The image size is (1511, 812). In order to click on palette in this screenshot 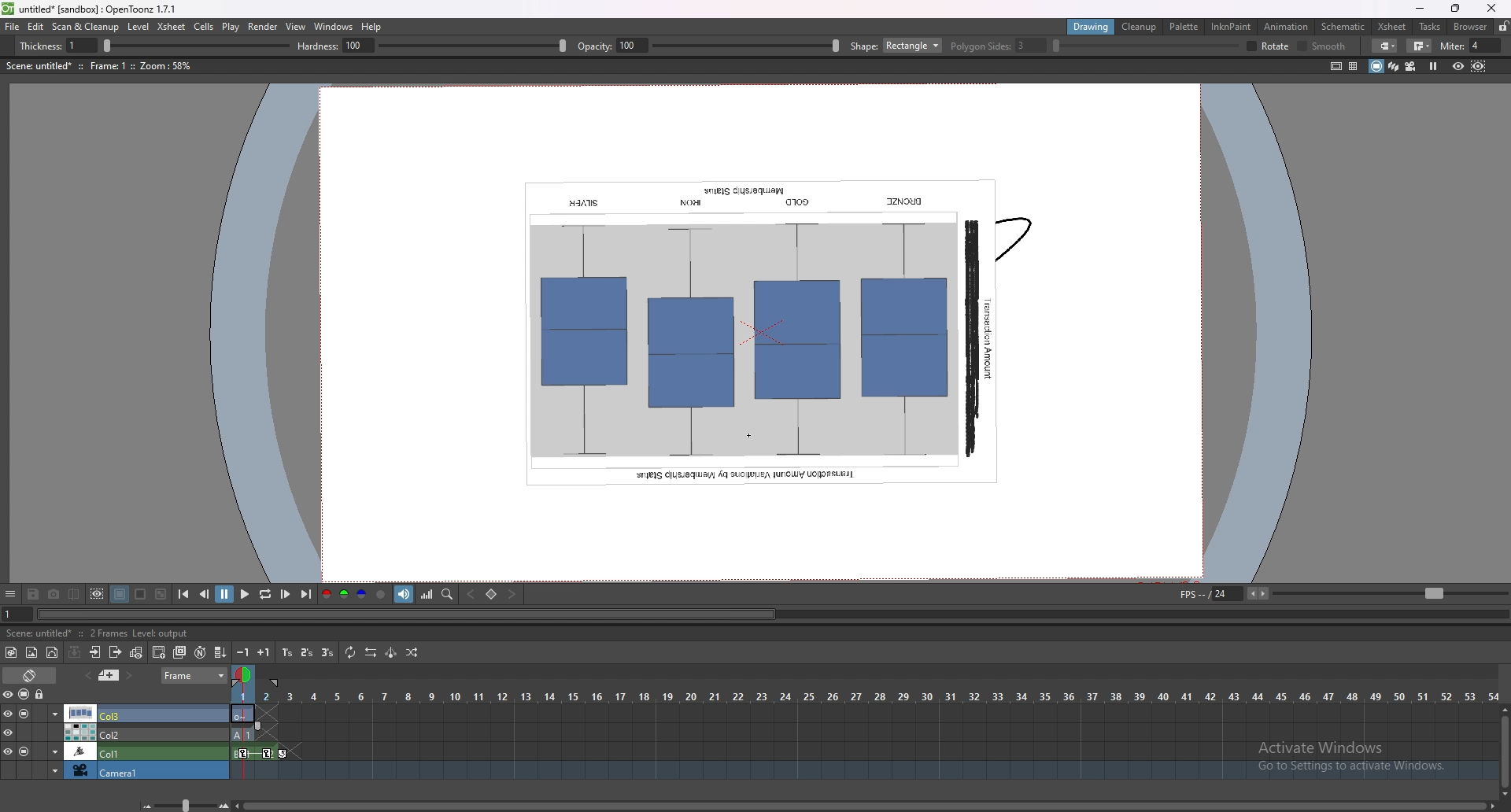, I will do `click(1184, 26)`.